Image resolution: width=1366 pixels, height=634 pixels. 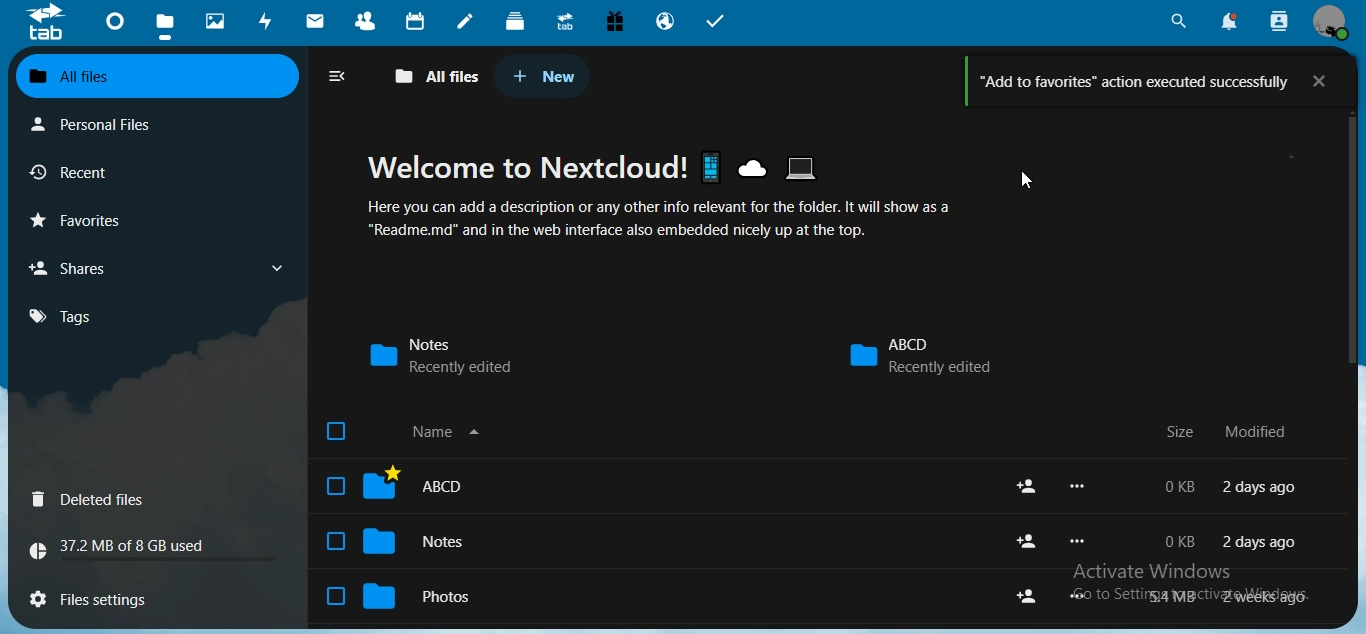 What do you see at coordinates (1330, 23) in the screenshot?
I see `view profile` at bounding box center [1330, 23].